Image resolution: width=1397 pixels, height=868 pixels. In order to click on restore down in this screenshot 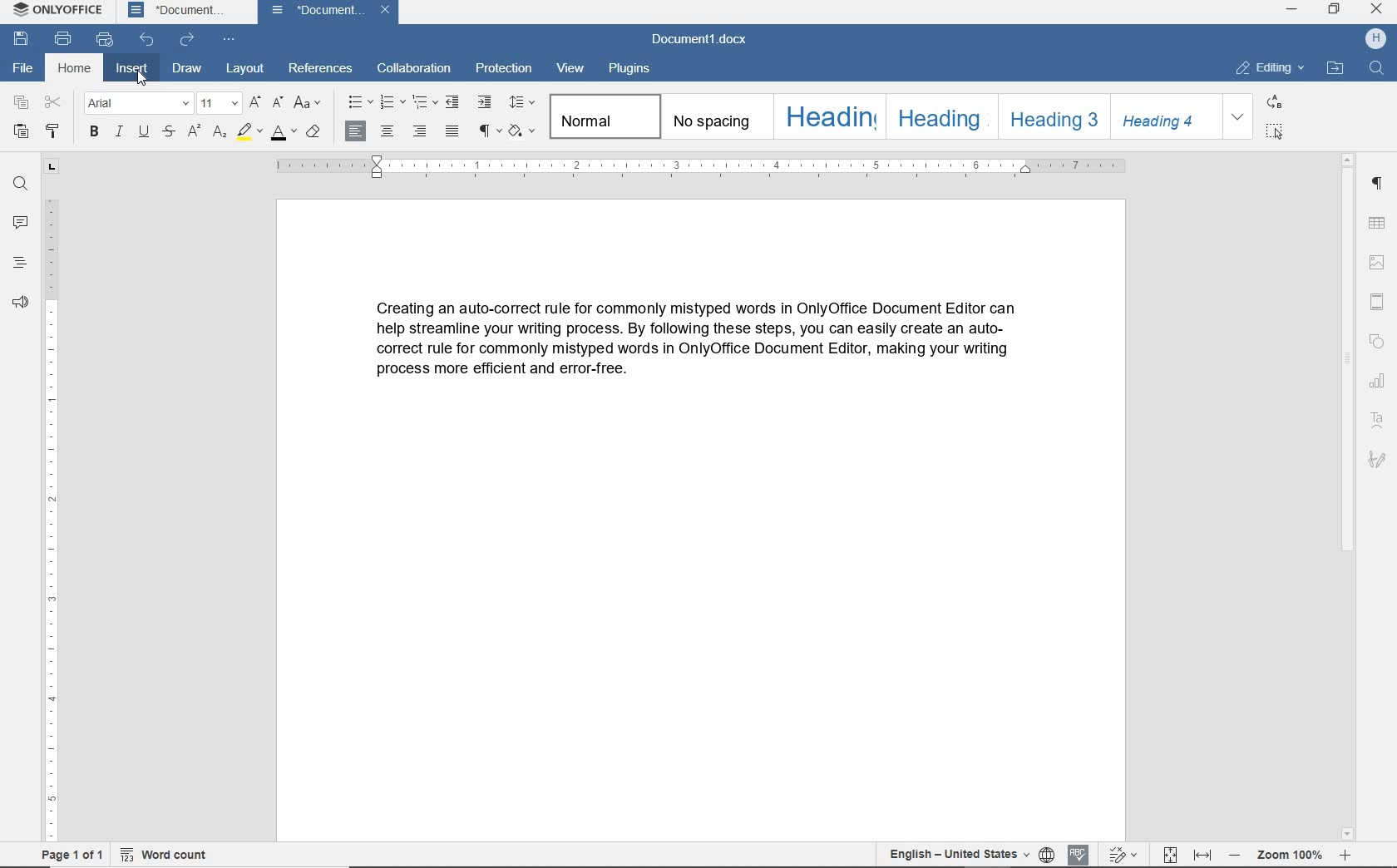, I will do `click(1335, 11)`.